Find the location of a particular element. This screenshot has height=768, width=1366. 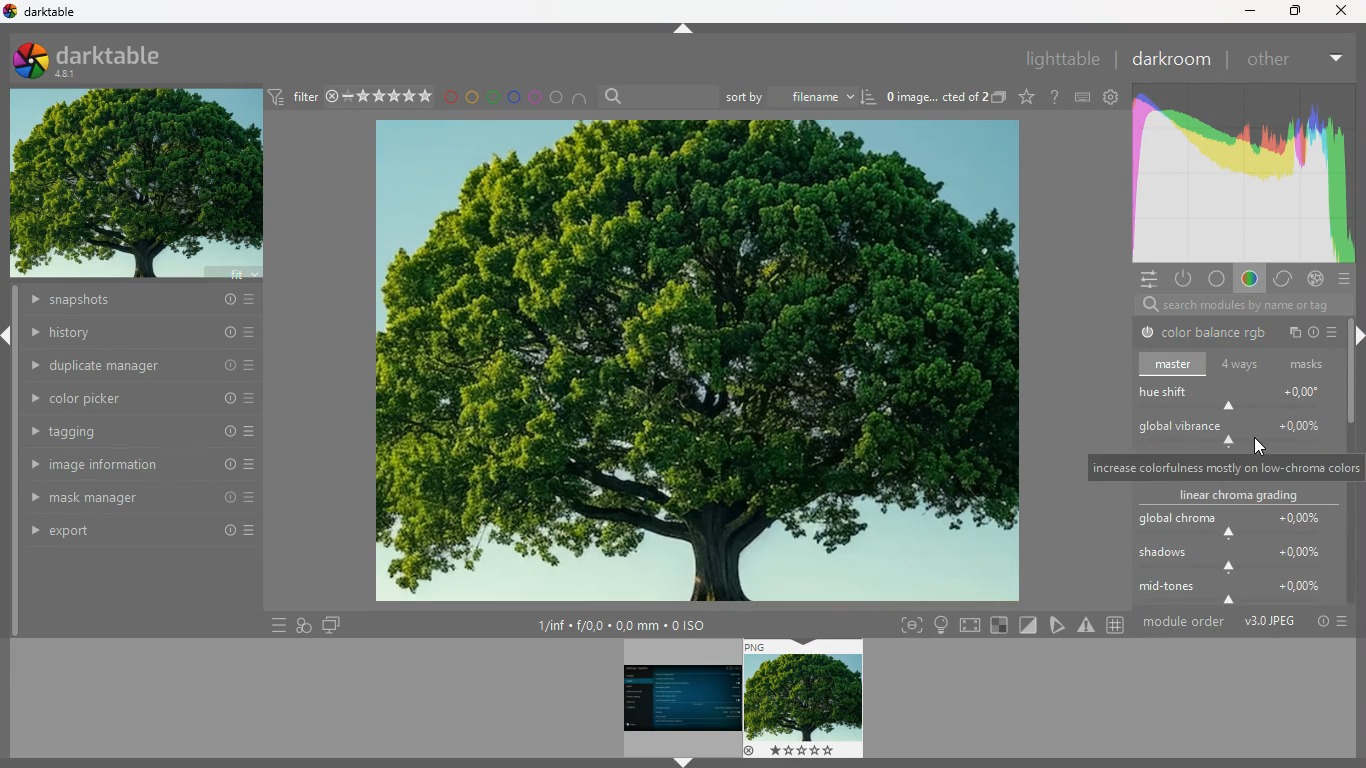

overlap is located at coordinates (304, 623).